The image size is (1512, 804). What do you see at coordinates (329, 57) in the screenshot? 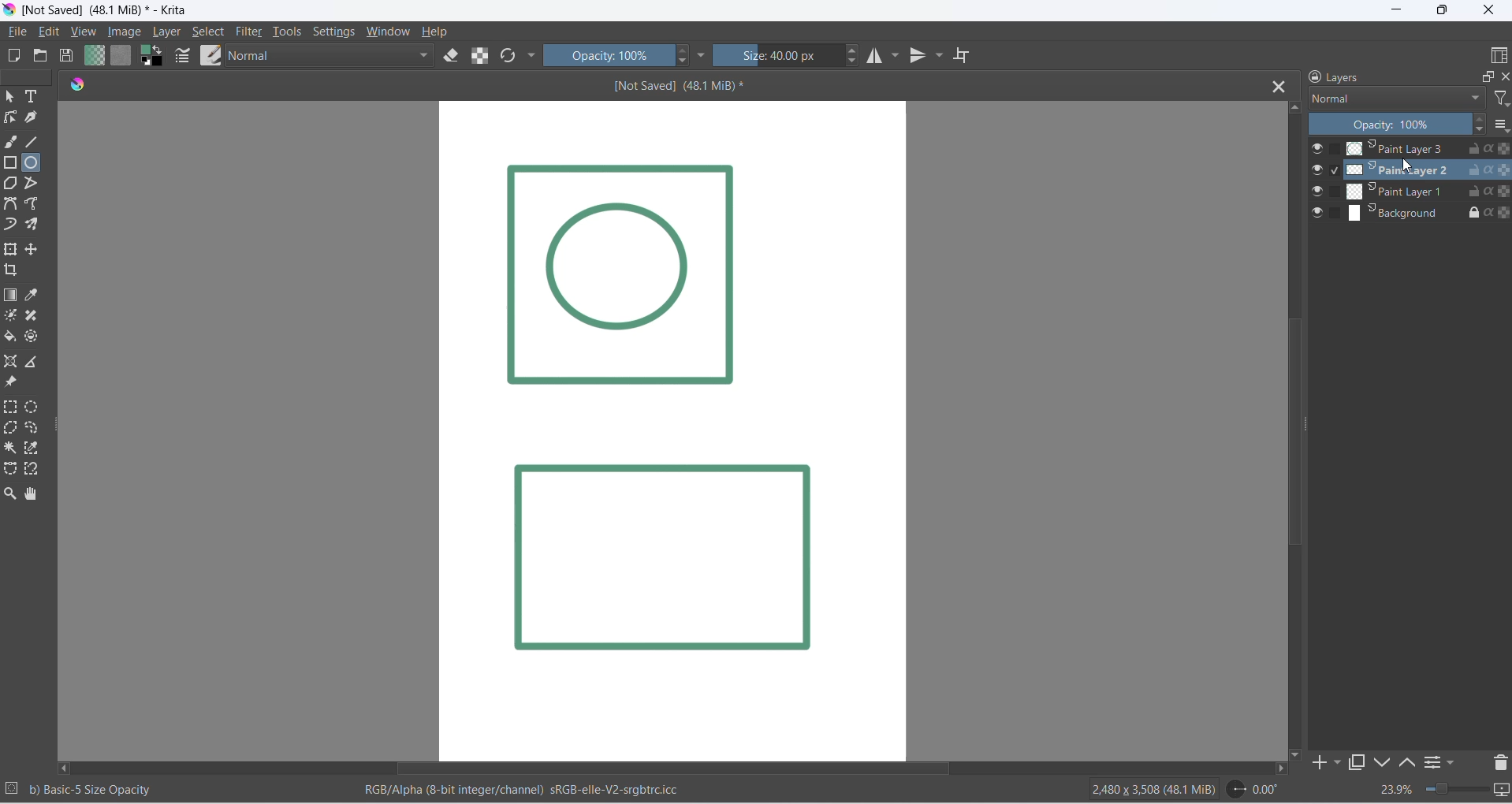
I see `blending mode` at bounding box center [329, 57].